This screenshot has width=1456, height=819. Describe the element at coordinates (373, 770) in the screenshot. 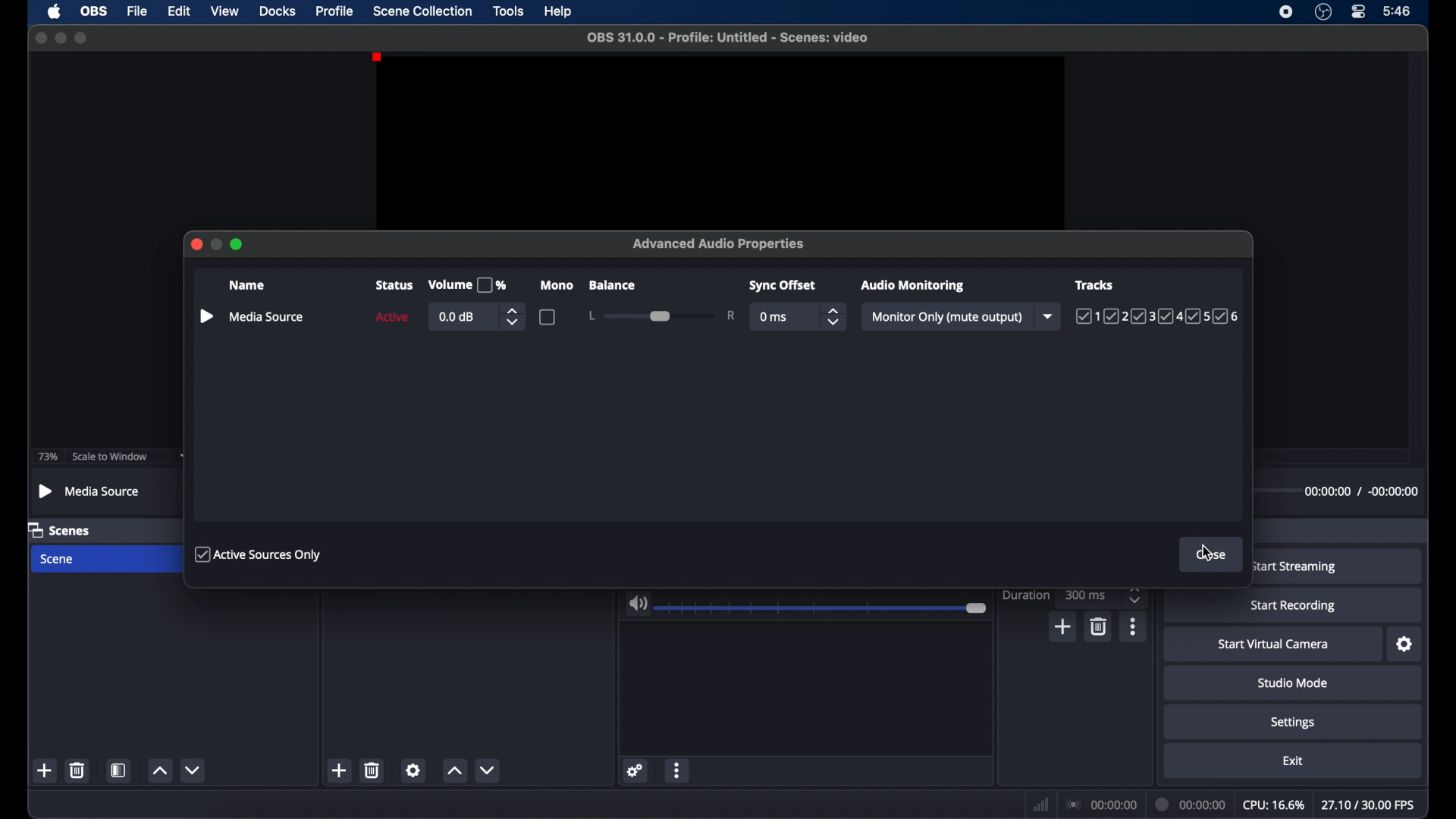

I see `delete` at that location.